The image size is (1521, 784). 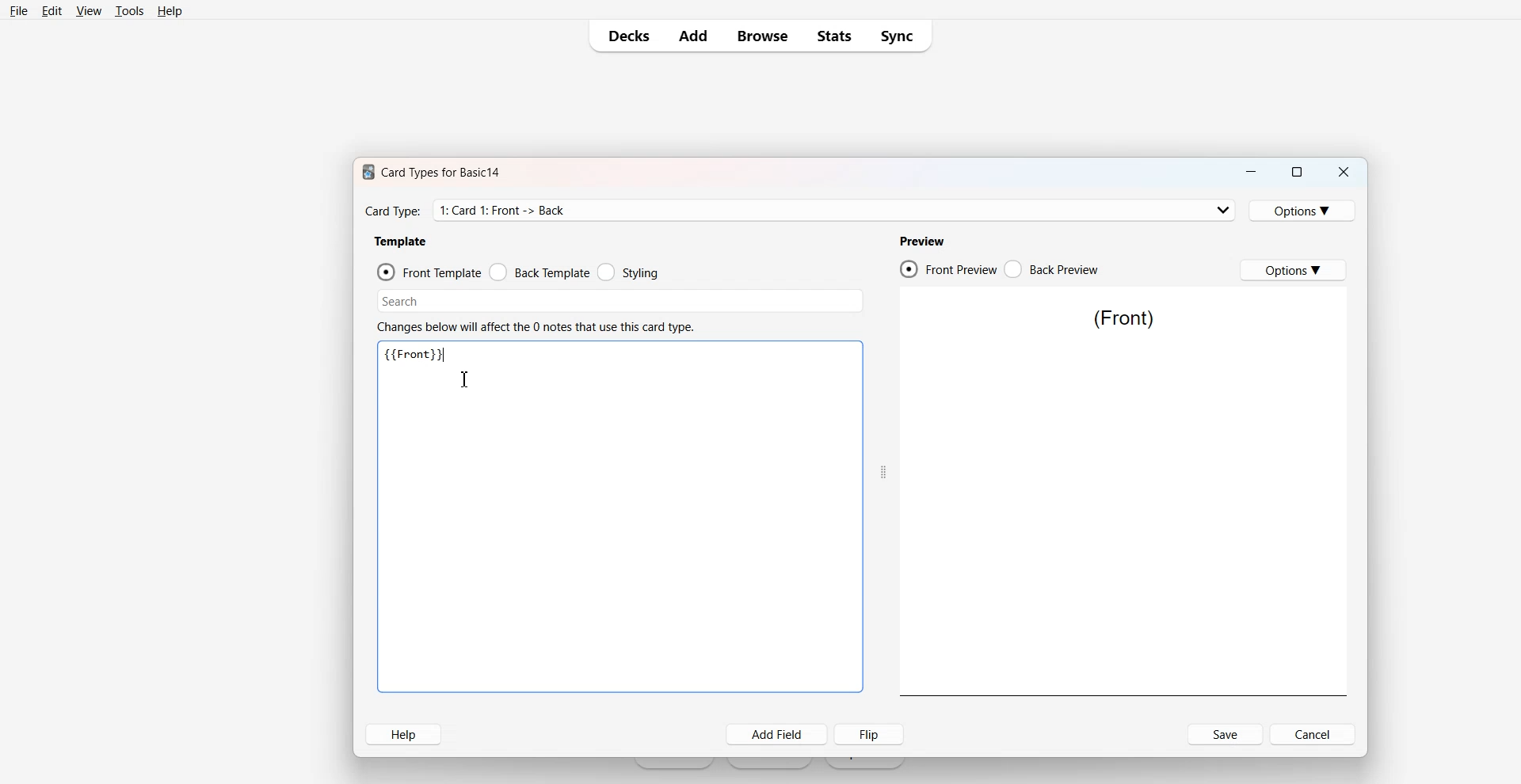 I want to click on Help, so click(x=170, y=11).